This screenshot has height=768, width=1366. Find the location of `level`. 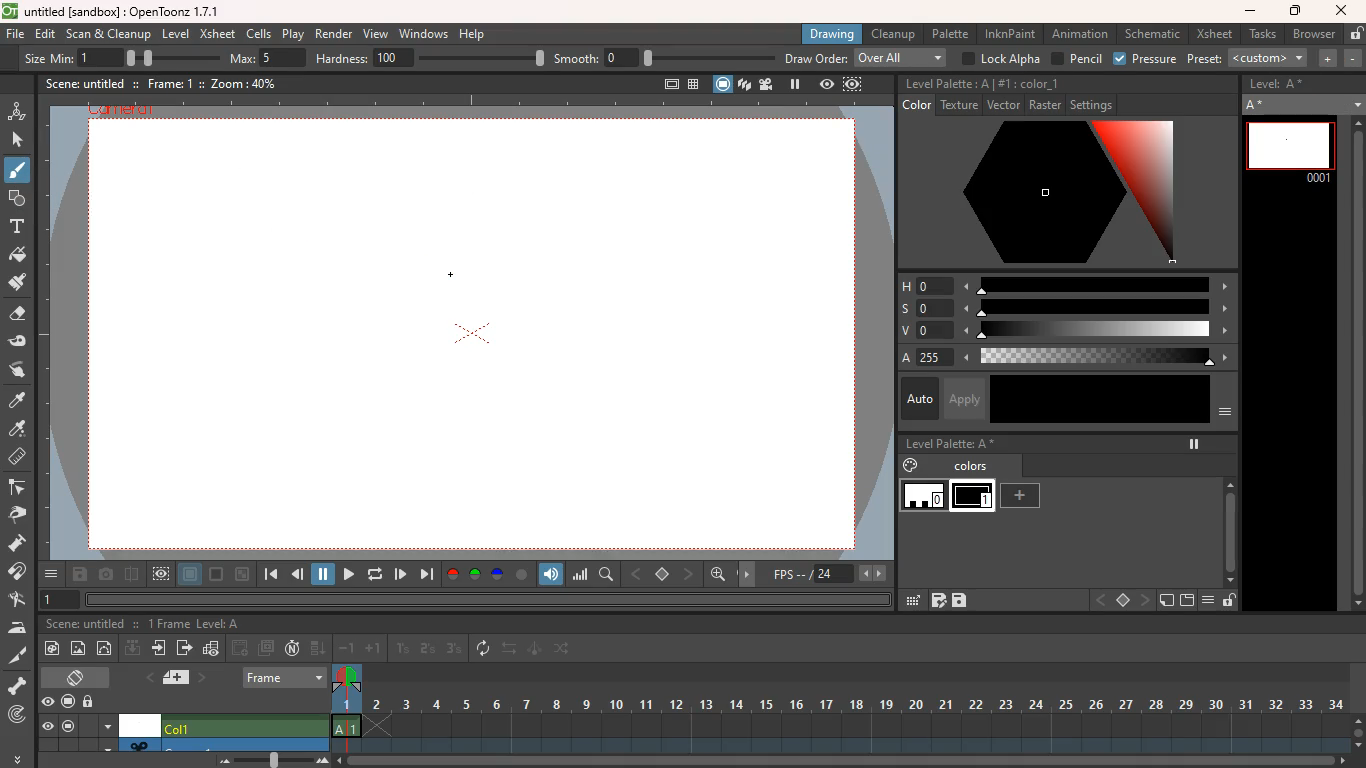

level is located at coordinates (924, 498).